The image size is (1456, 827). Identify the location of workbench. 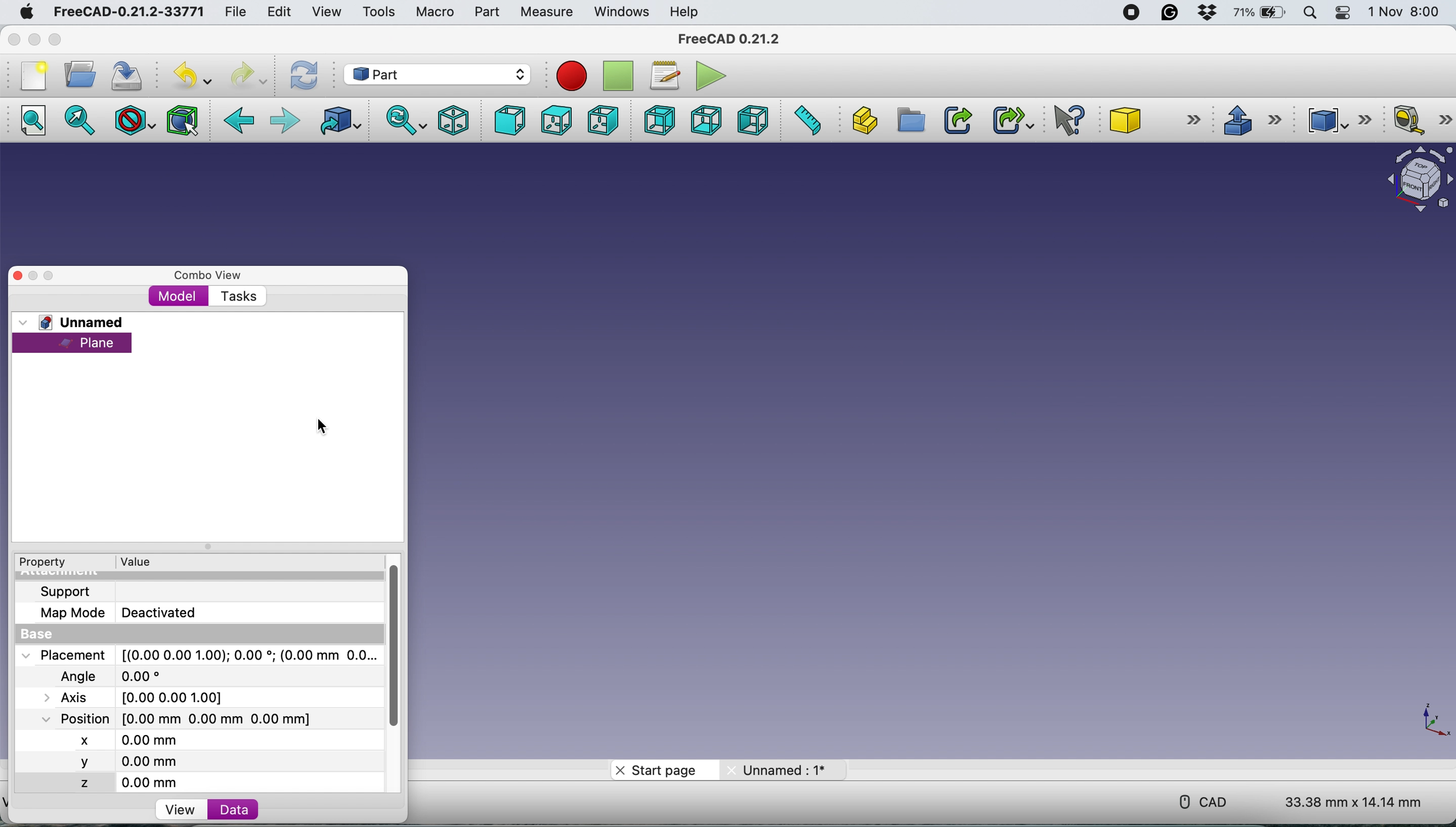
(438, 73).